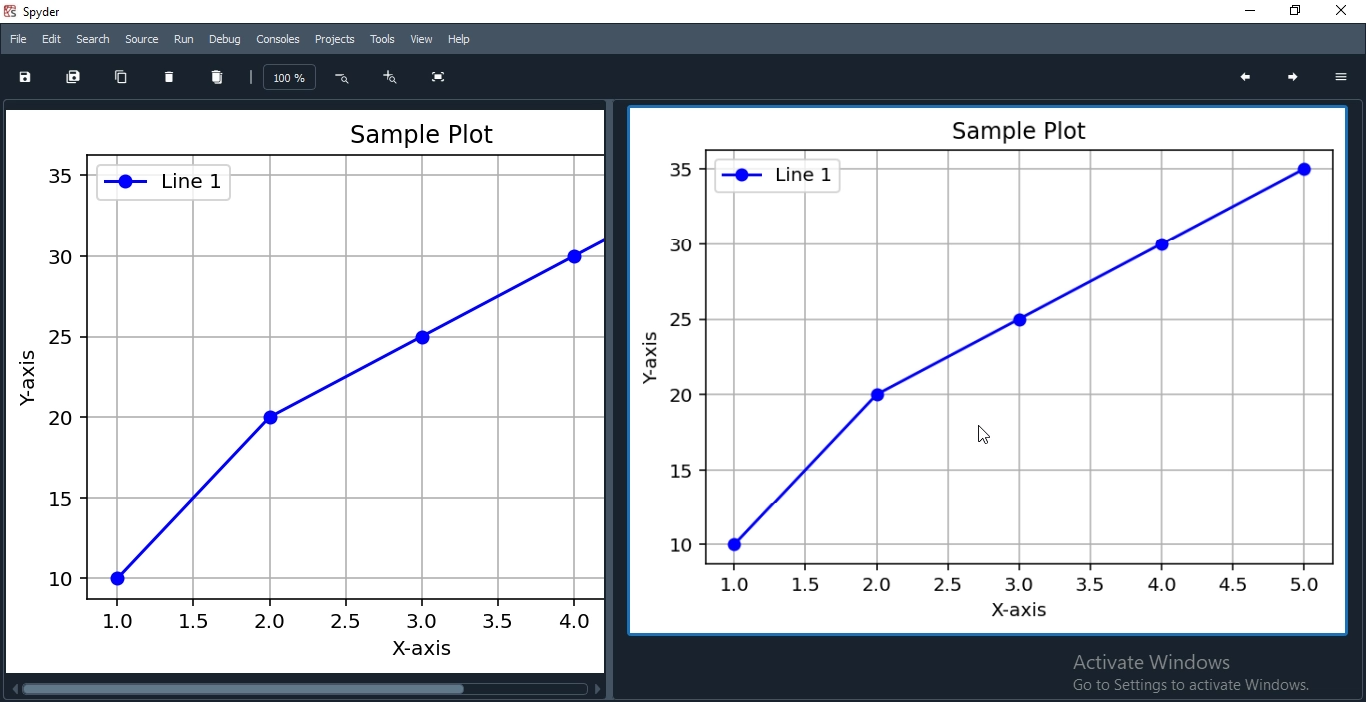  I want to click on Debug, so click(223, 39).